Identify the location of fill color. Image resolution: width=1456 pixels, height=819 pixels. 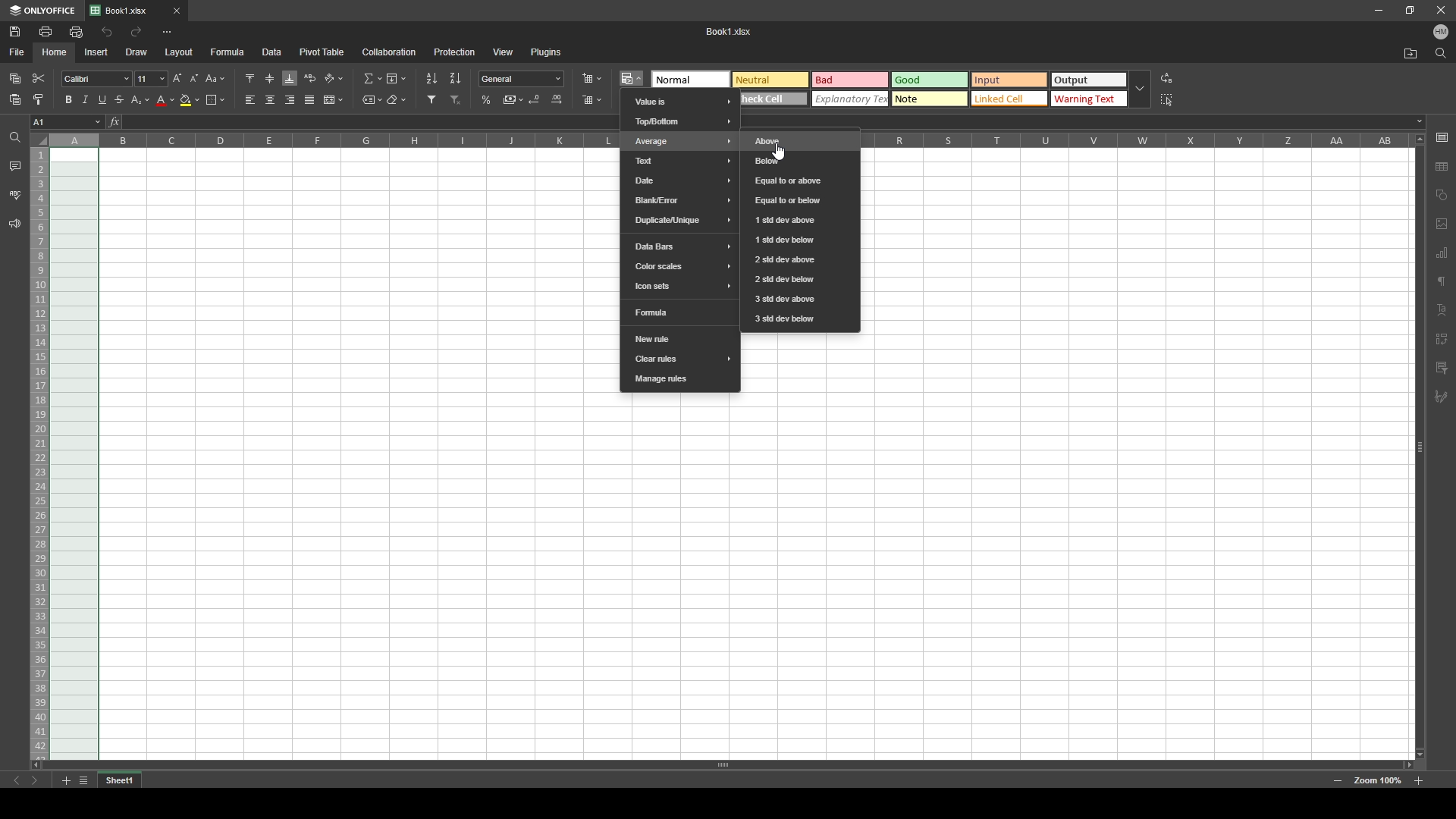
(190, 100).